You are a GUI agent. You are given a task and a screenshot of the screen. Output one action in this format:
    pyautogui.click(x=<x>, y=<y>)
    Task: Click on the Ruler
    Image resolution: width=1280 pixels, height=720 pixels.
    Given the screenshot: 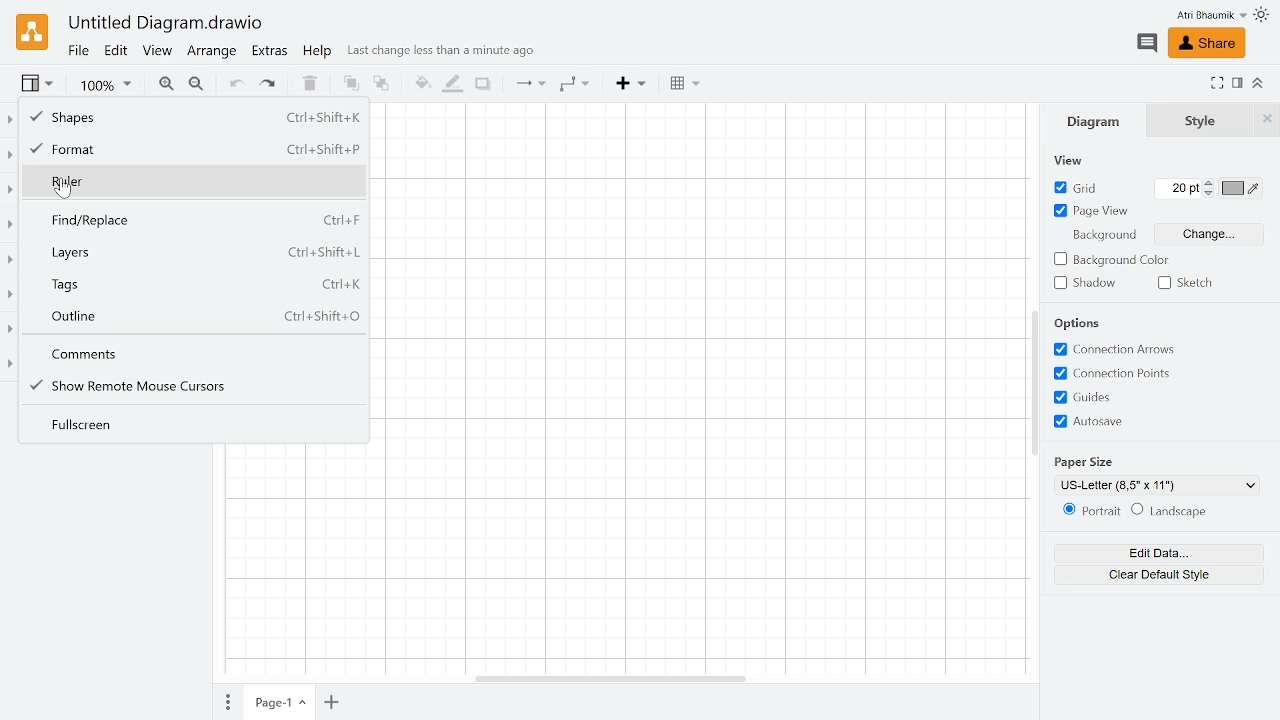 What is the action you would take?
    pyautogui.click(x=183, y=182)
    